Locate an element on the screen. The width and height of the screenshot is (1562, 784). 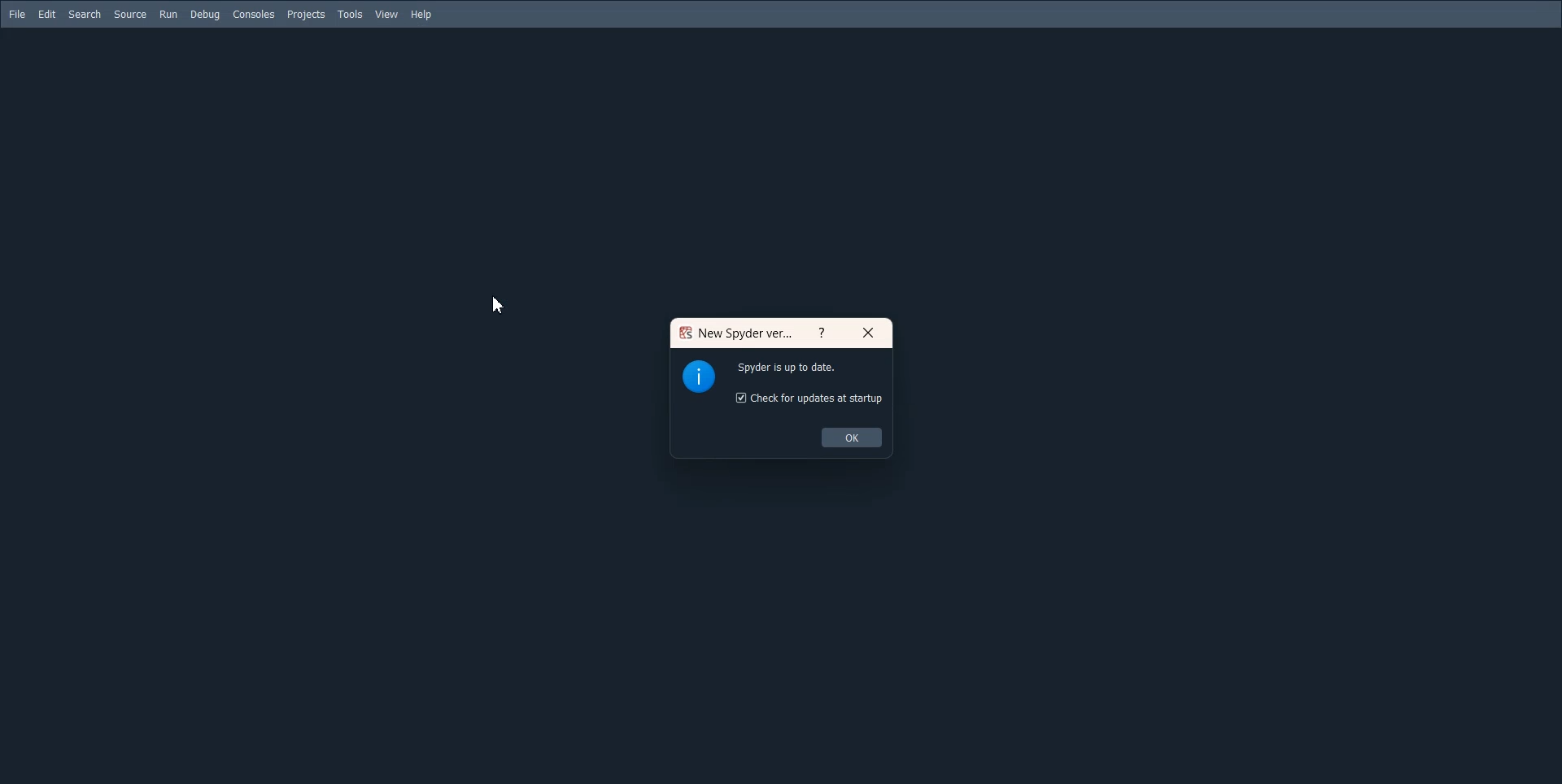
Spyder is up to date. is located at coordinates (788, 368).